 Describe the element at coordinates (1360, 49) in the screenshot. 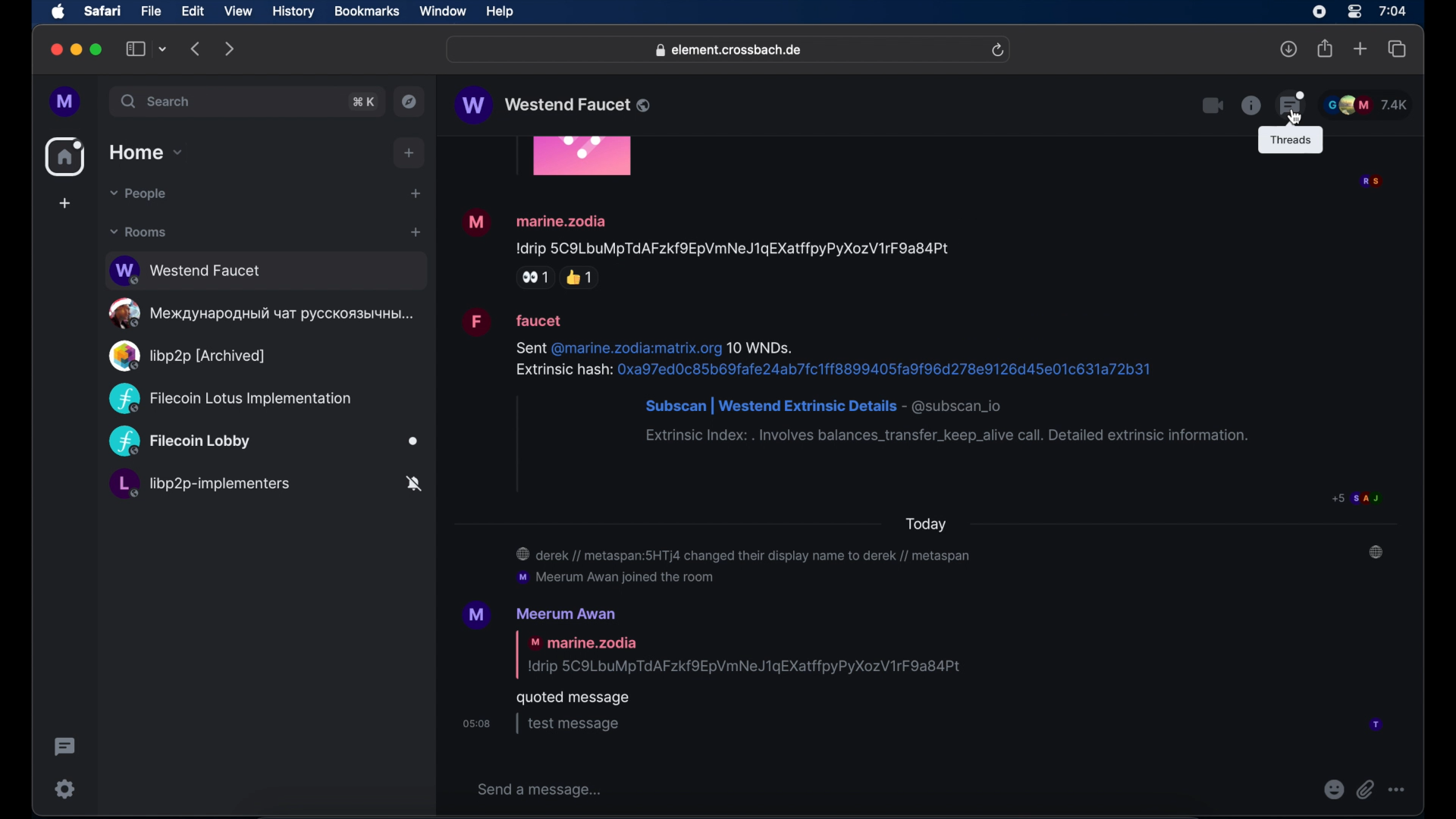

I see `new tab` at that location.